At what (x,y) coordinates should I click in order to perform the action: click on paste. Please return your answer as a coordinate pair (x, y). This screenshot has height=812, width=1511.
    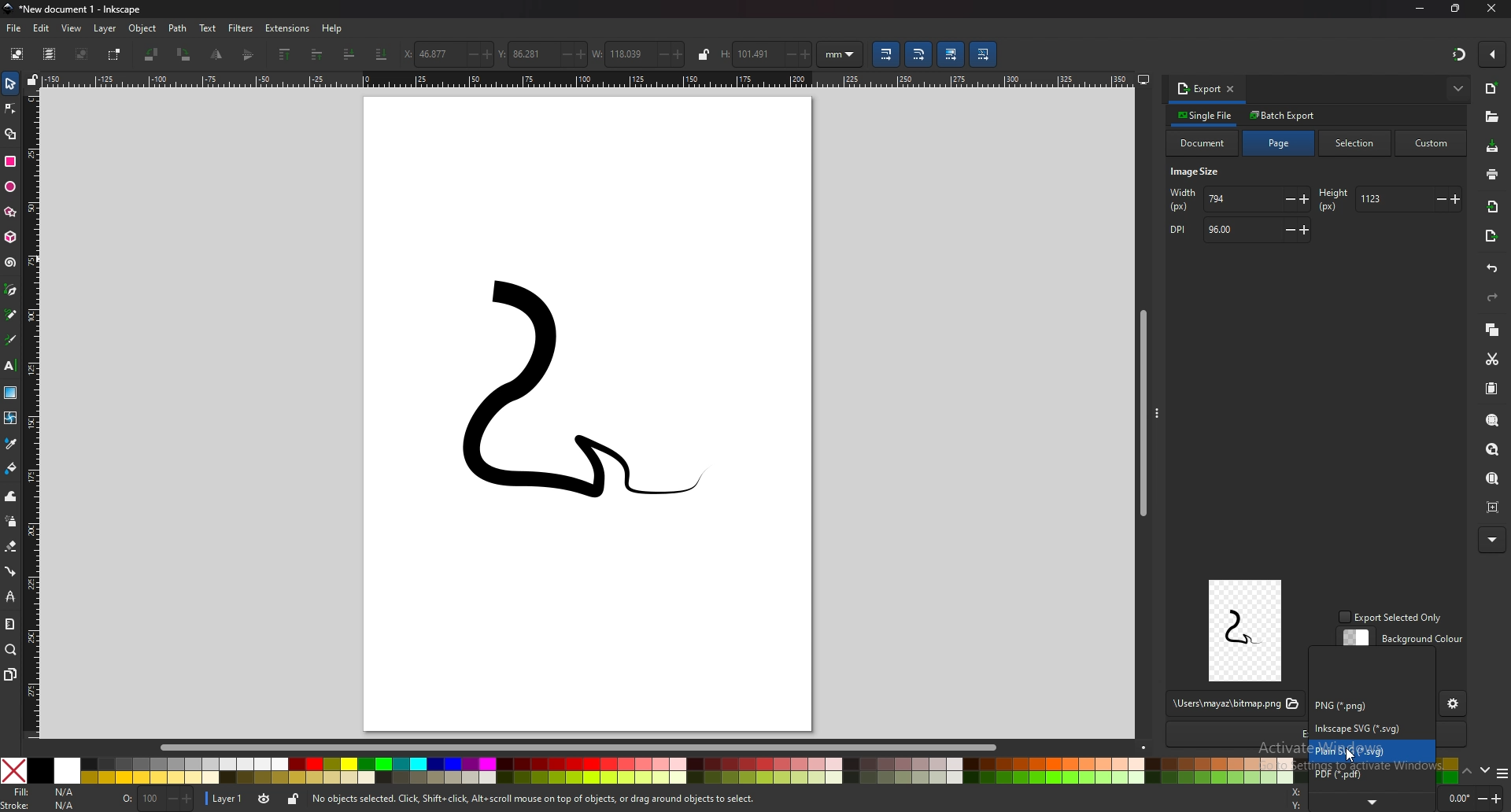
    Looking at the image, I should click on (1493, 389).